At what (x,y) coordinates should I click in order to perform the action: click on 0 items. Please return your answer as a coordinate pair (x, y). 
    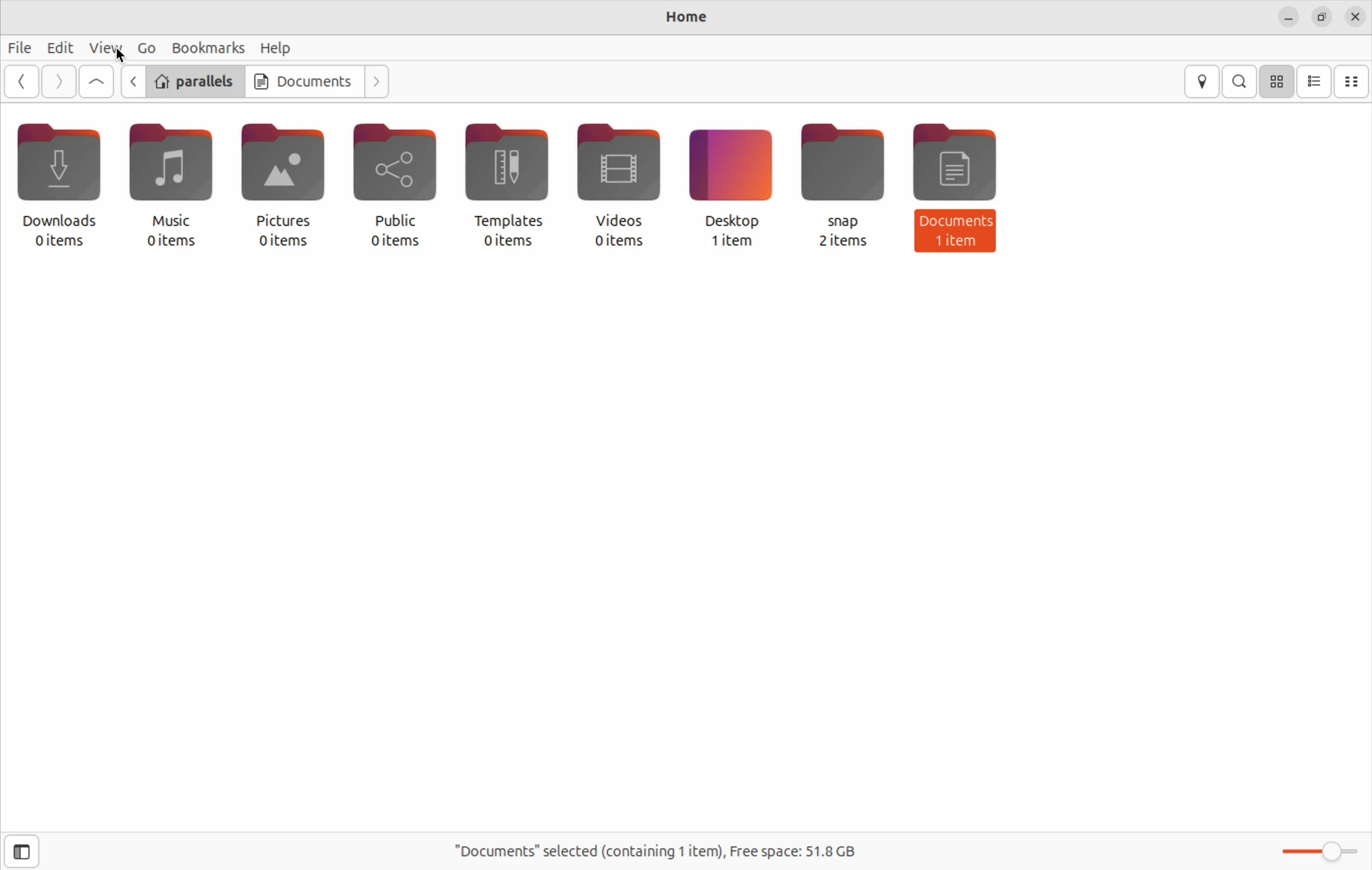
    Looking at the image, I should click on (171, 251).